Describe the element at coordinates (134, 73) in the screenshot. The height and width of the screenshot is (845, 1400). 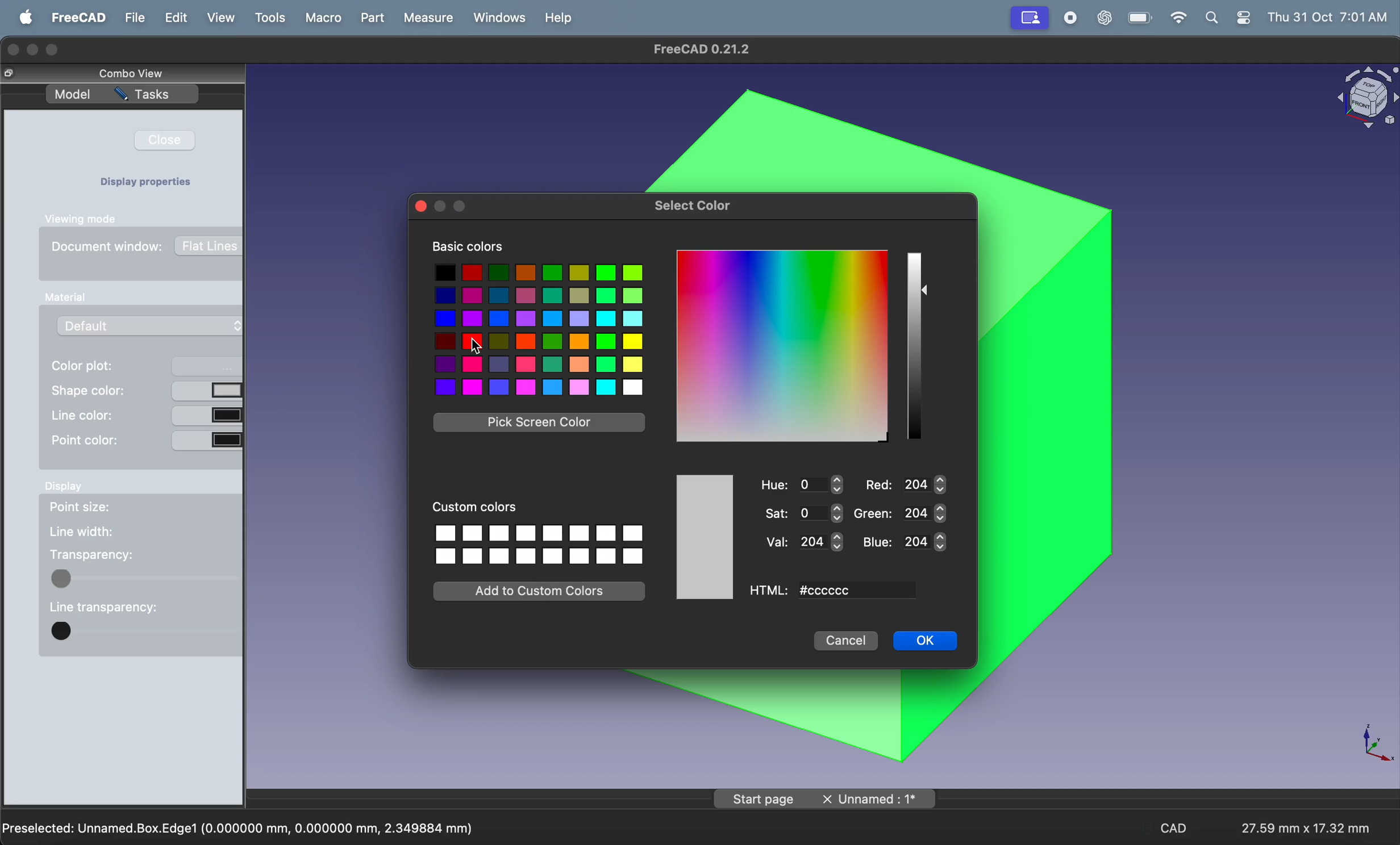
I see `combo view` at that location.